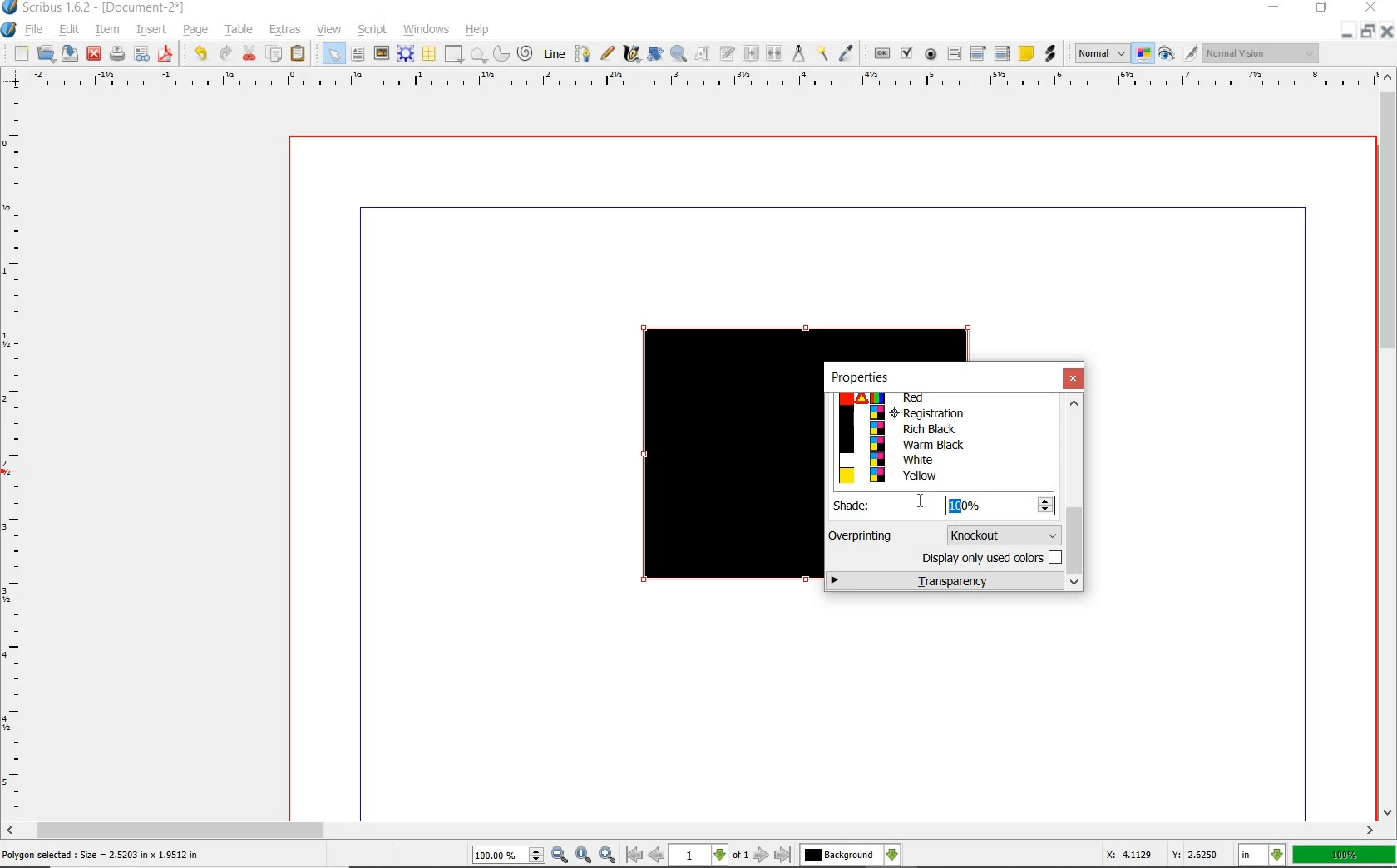  What do you see at coordinates (373, 30) in the screenshot?
I see `script` at bounding box center [373, 30].